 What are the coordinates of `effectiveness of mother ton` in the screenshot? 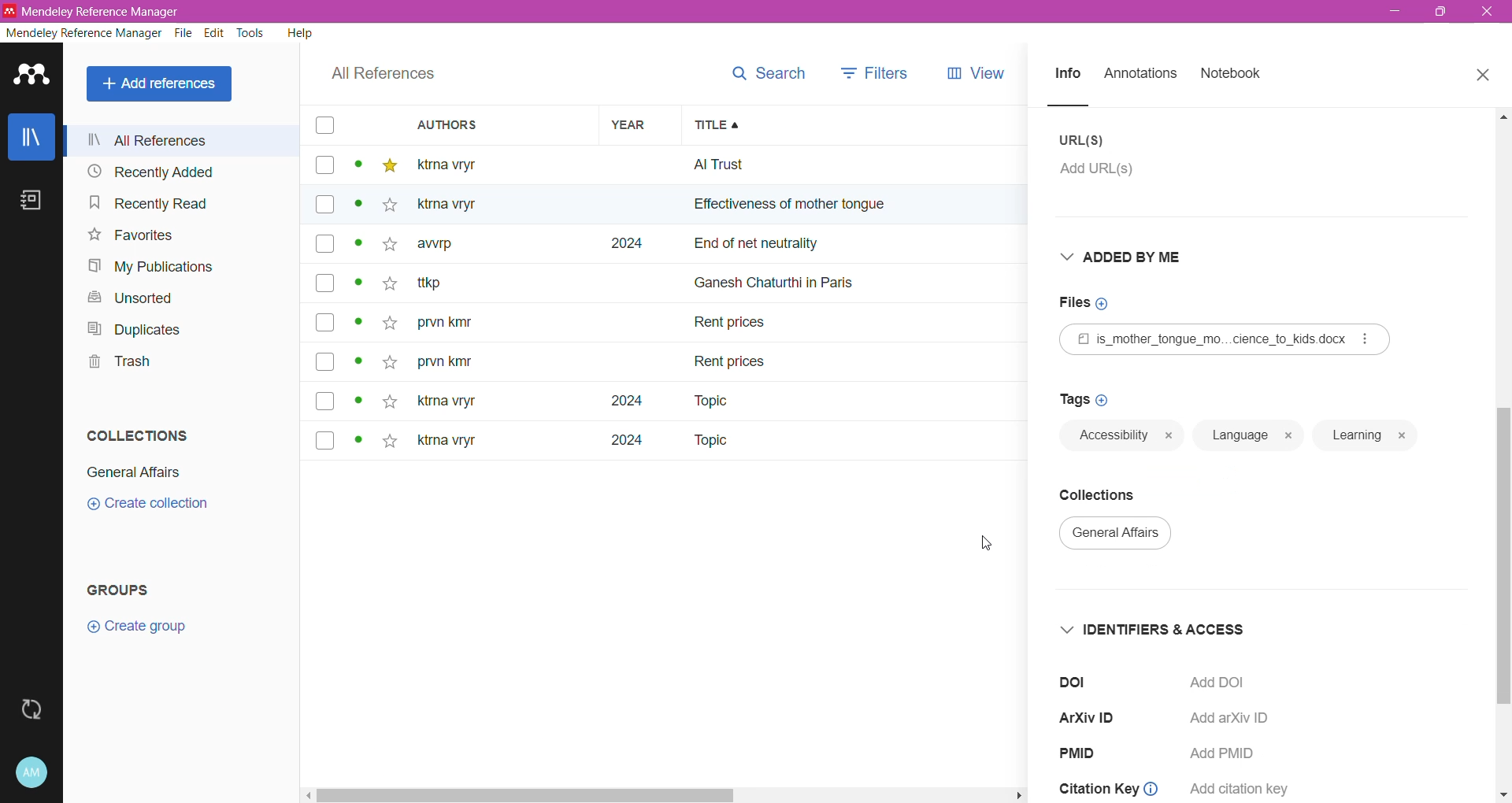 It's located at (770, 208).